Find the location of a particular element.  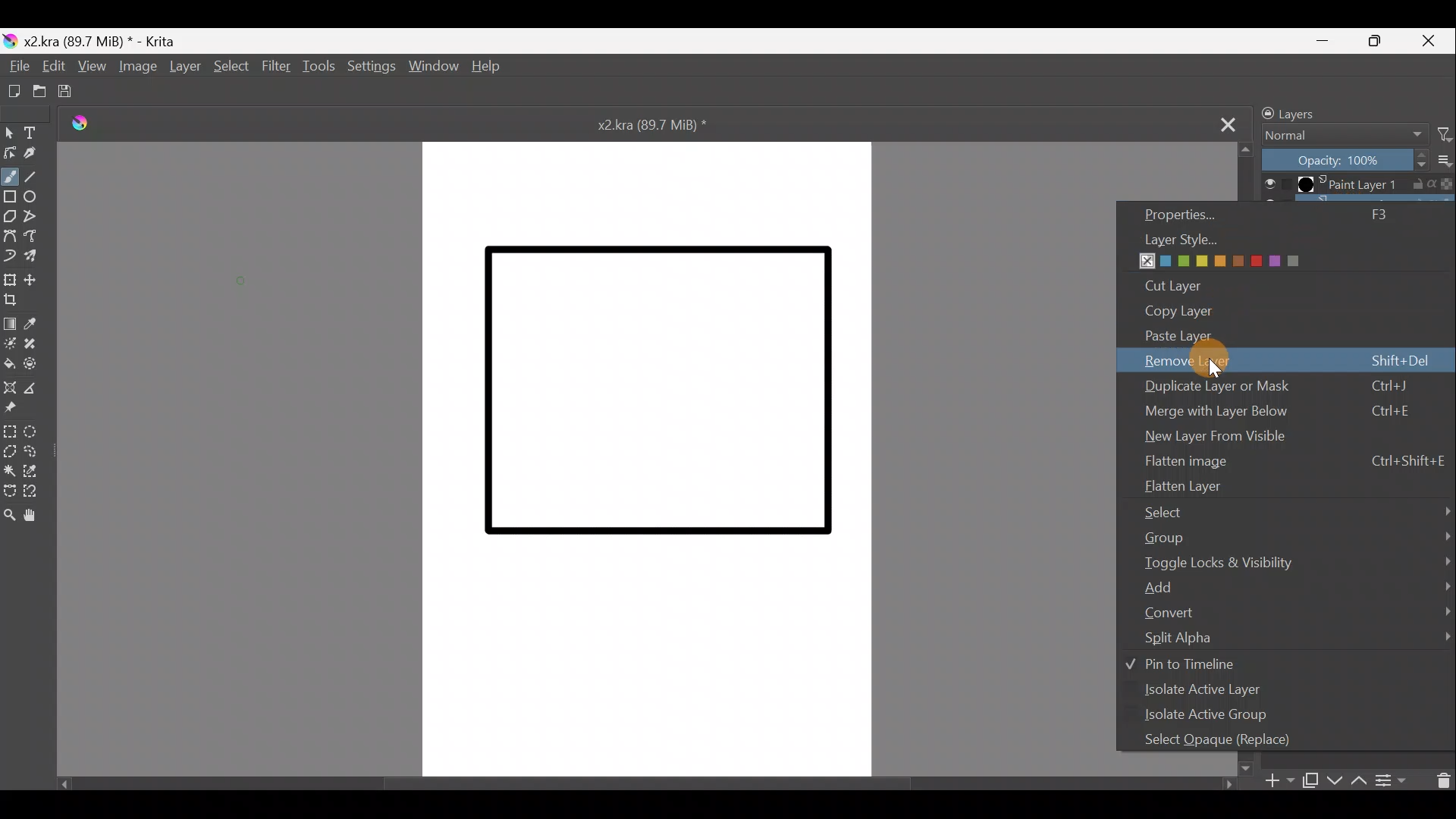

Duplicate layer/mask is located at coordinates (1311, 783).